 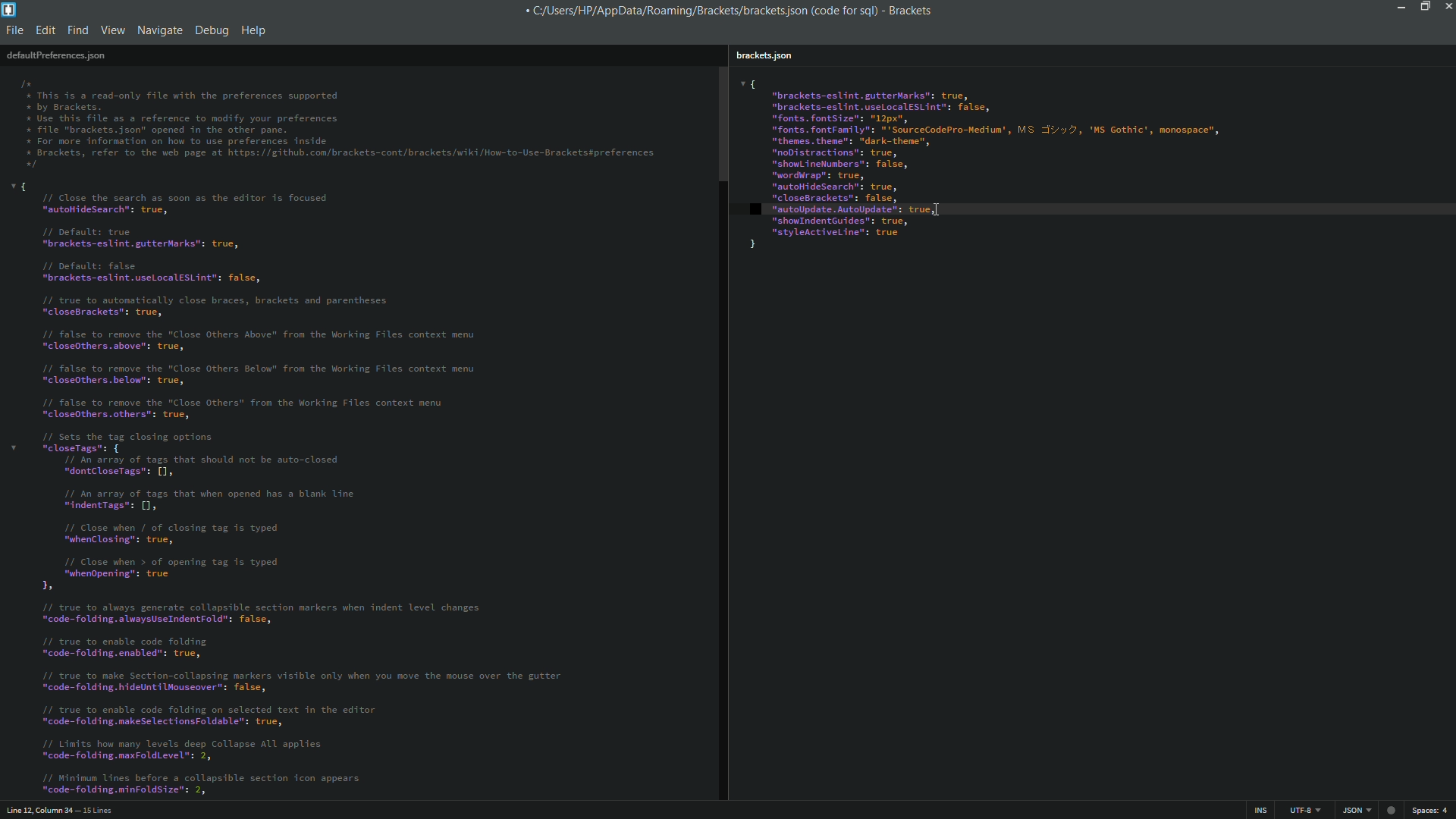 What do you see at coordinates (1354, 810) in the screenshot?
I see `JSON` at bounding box center [1354, 810].